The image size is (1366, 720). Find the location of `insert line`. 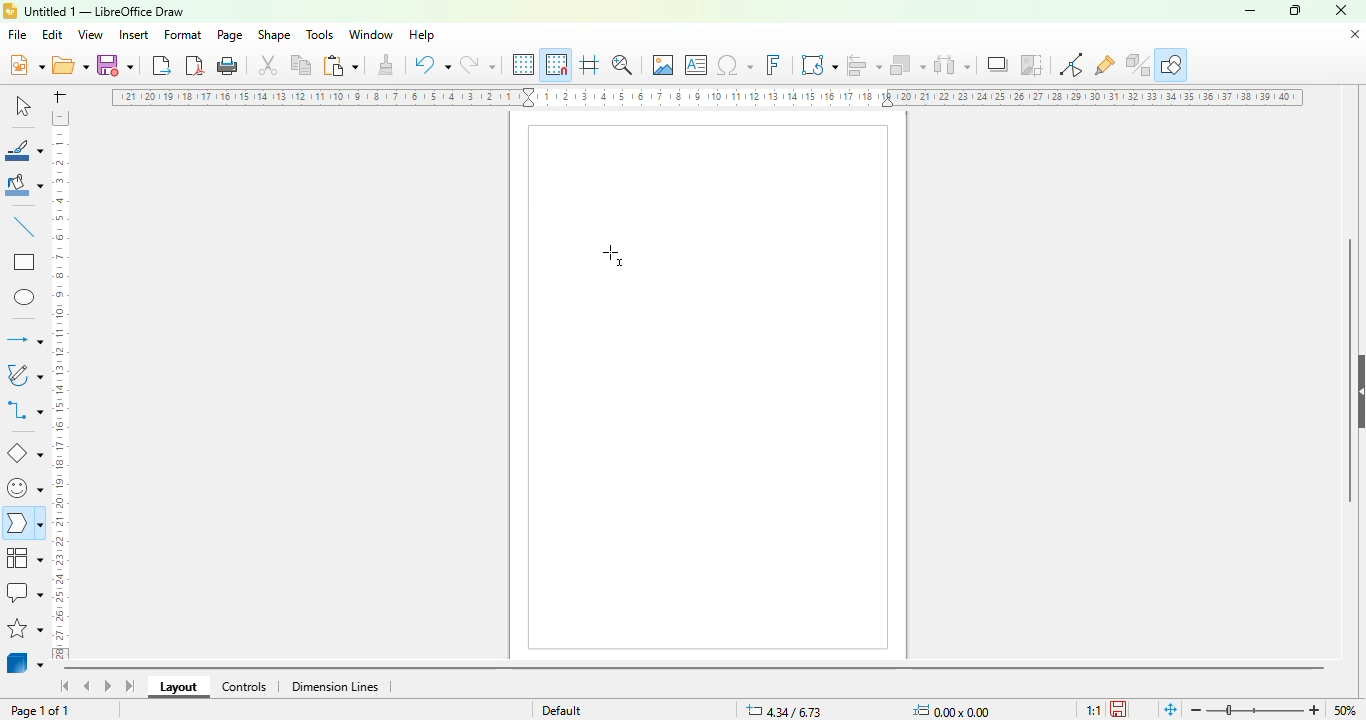

insert line is located at coordinates (25, 226).